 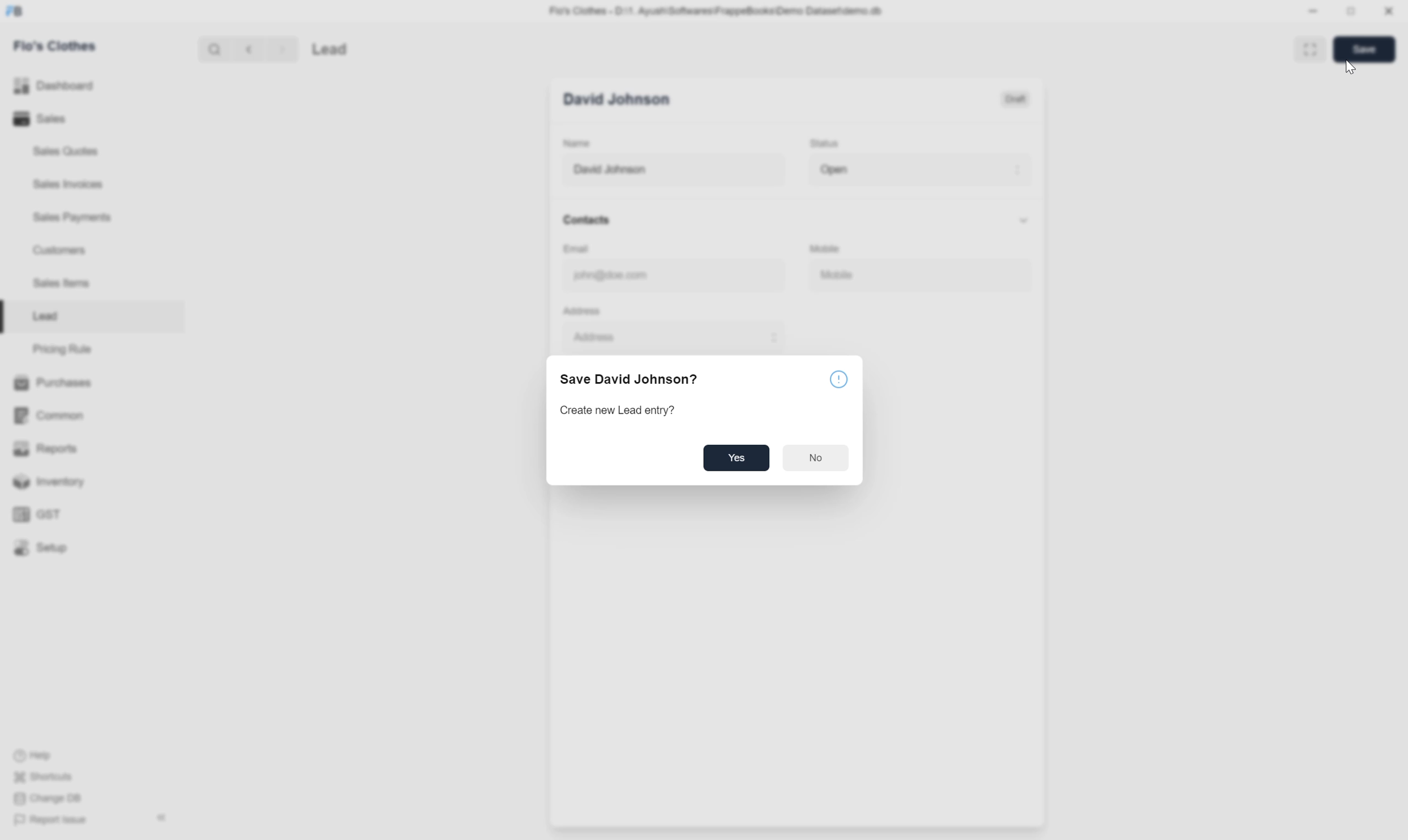 I want to click on Purchases, so click(x=53, y=382).